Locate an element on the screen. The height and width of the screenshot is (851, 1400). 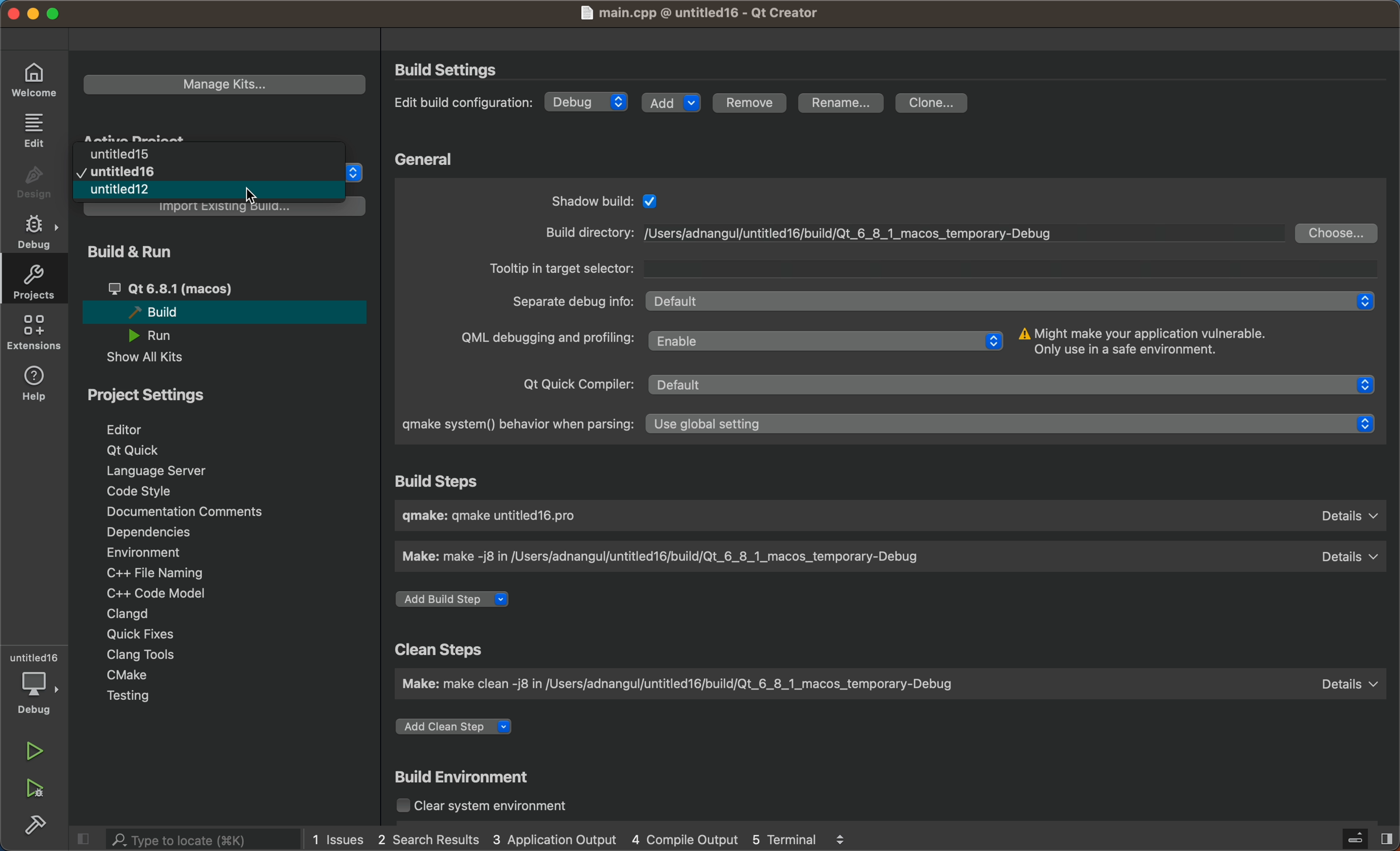
build is located at coordinates (466, 775).